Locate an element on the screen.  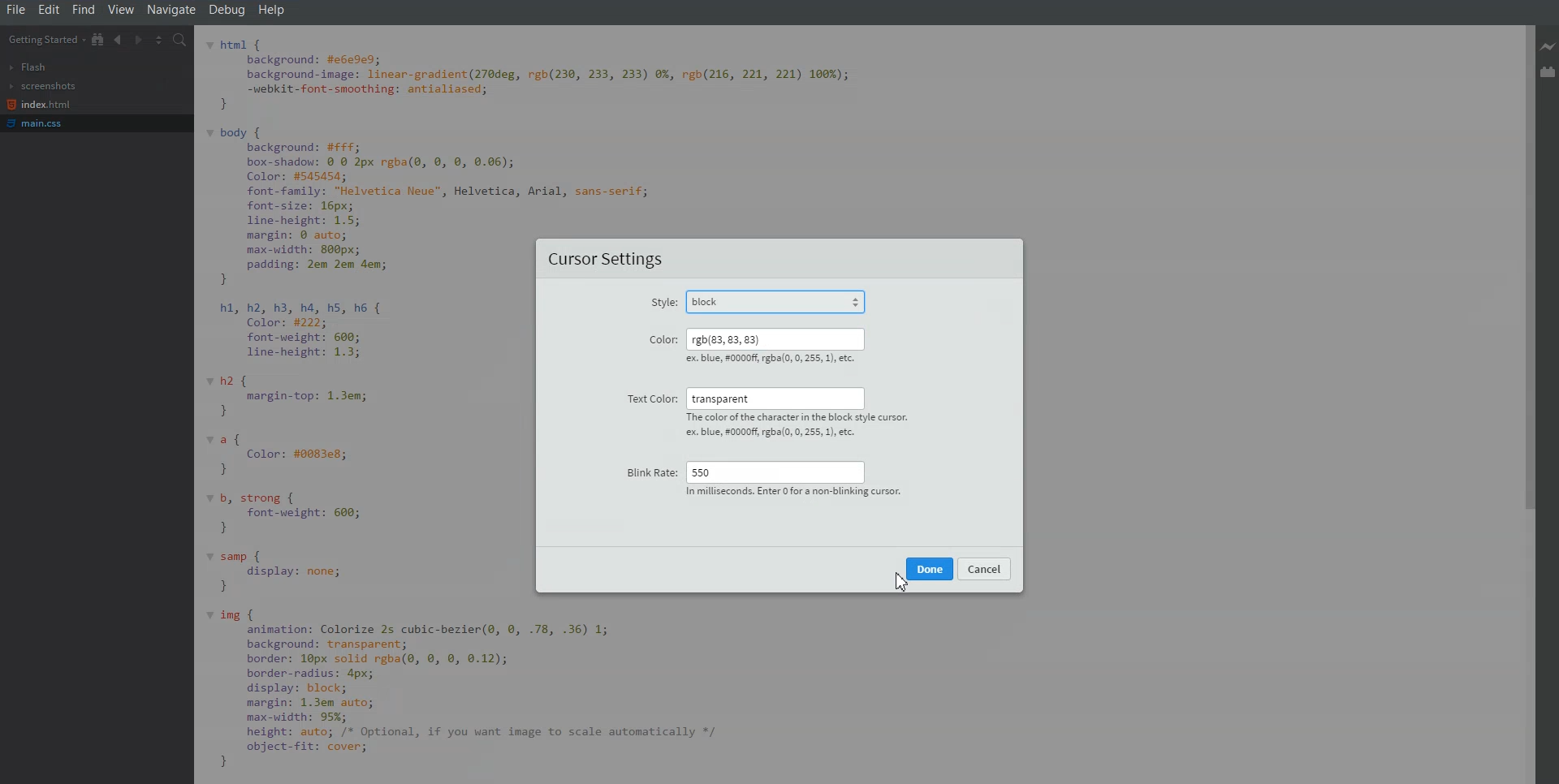
find in files is located at coordinates (181, 40).